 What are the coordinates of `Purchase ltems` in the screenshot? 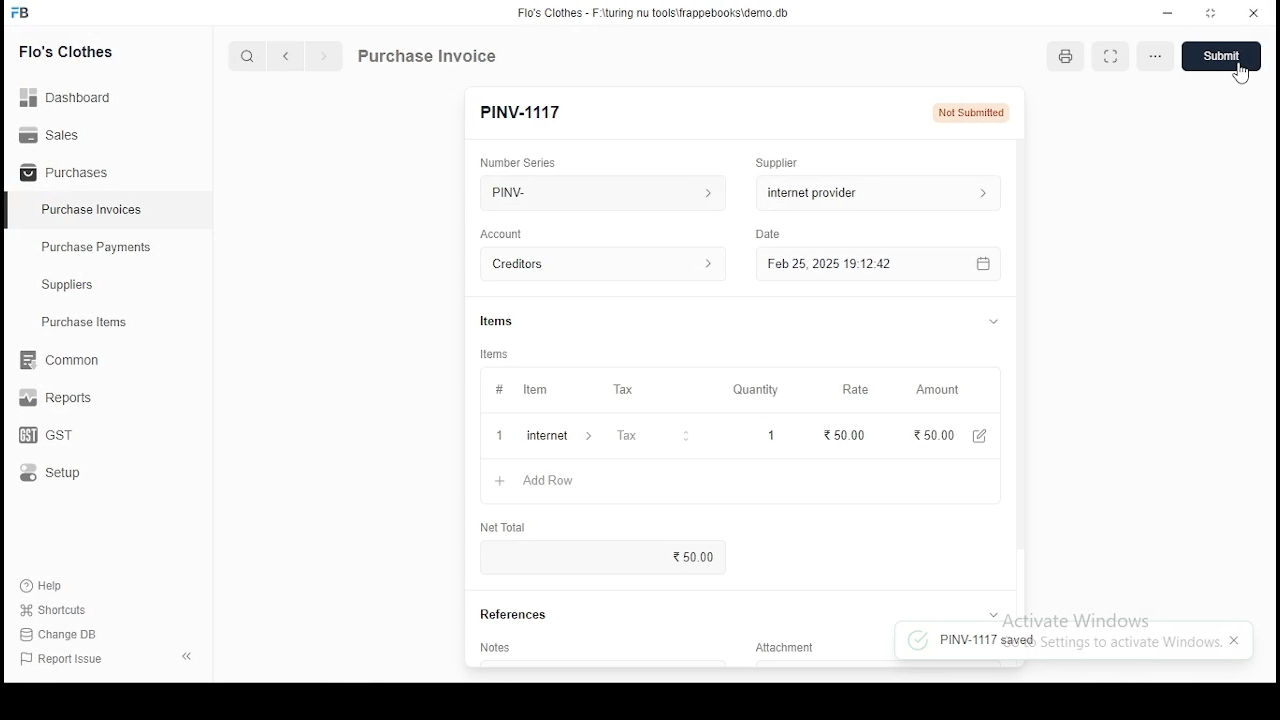 It's located at (75, 323).